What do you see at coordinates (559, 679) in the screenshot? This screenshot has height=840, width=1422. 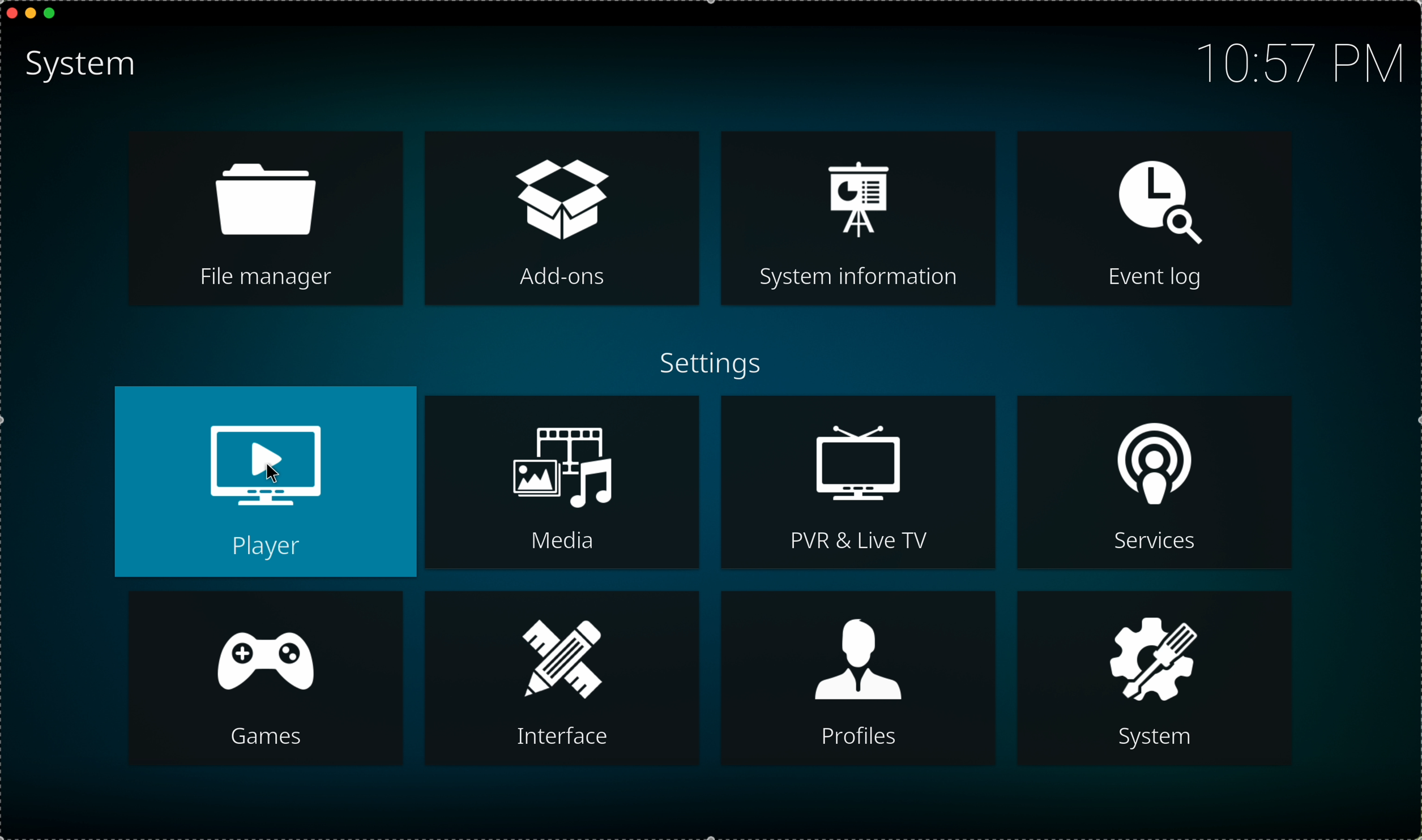 I see `interface` at bounding box center [559, 679].